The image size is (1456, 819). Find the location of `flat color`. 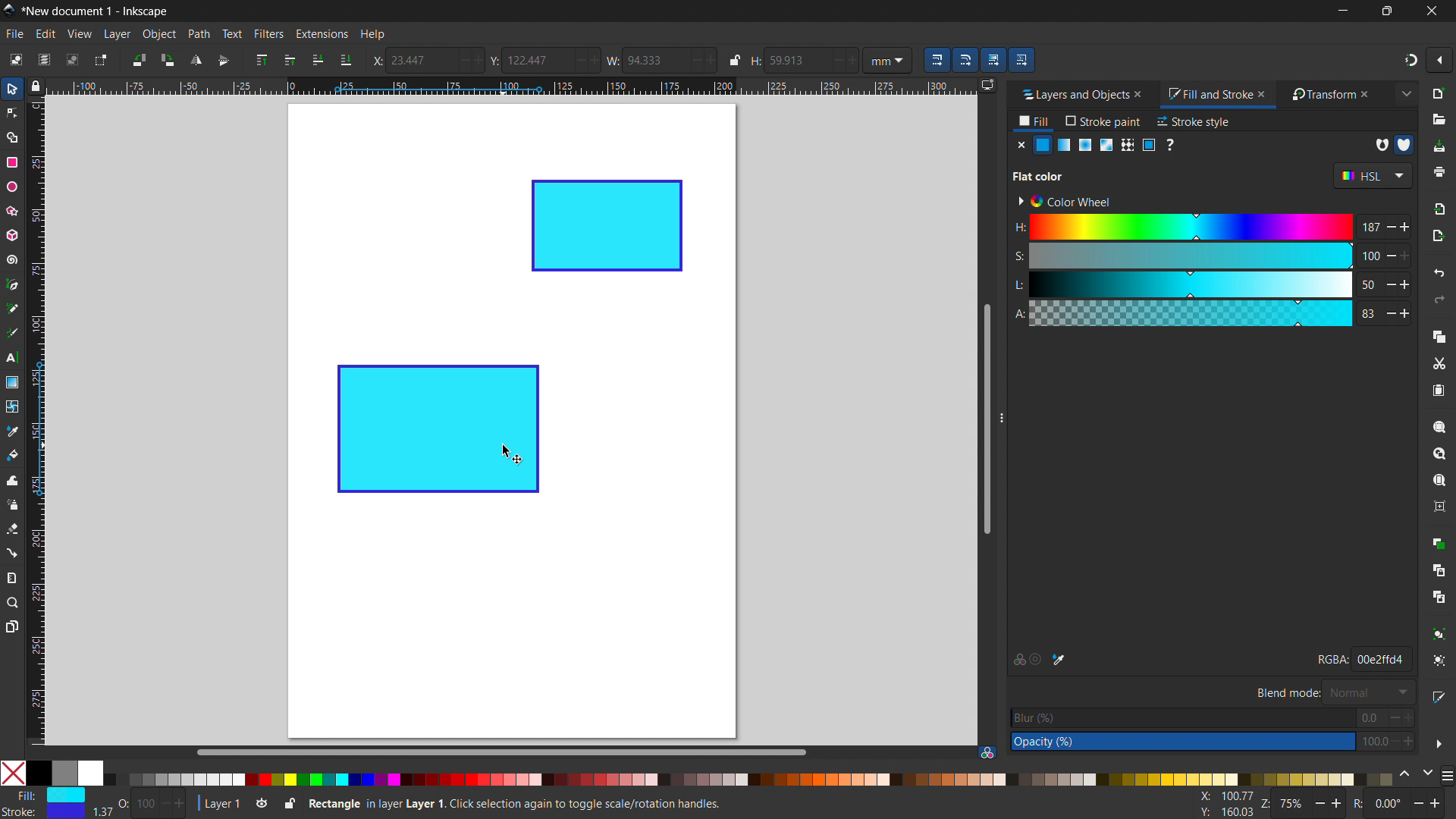

flat color is located at coordinates (1039, 176).